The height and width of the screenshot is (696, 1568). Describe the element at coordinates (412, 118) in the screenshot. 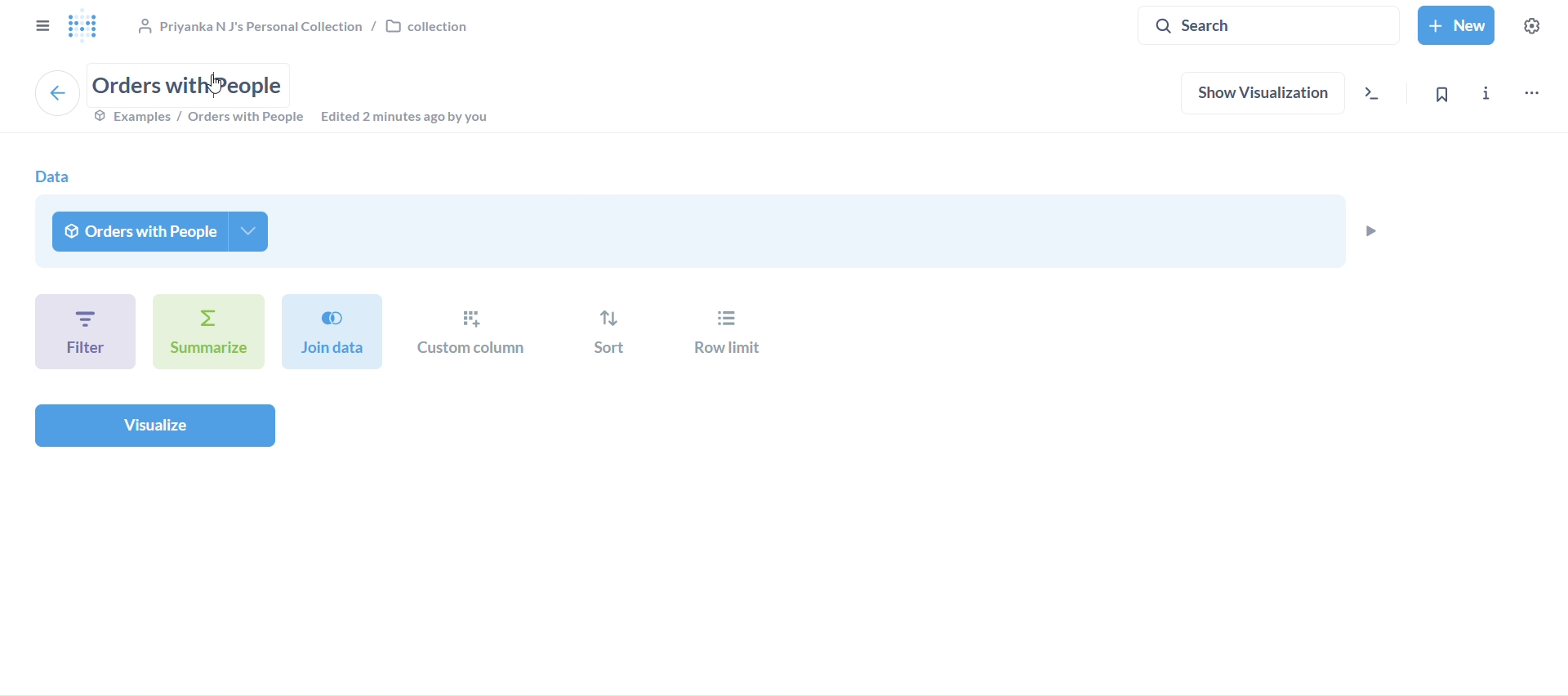

I see `edited 2 minutes ago` at that location.